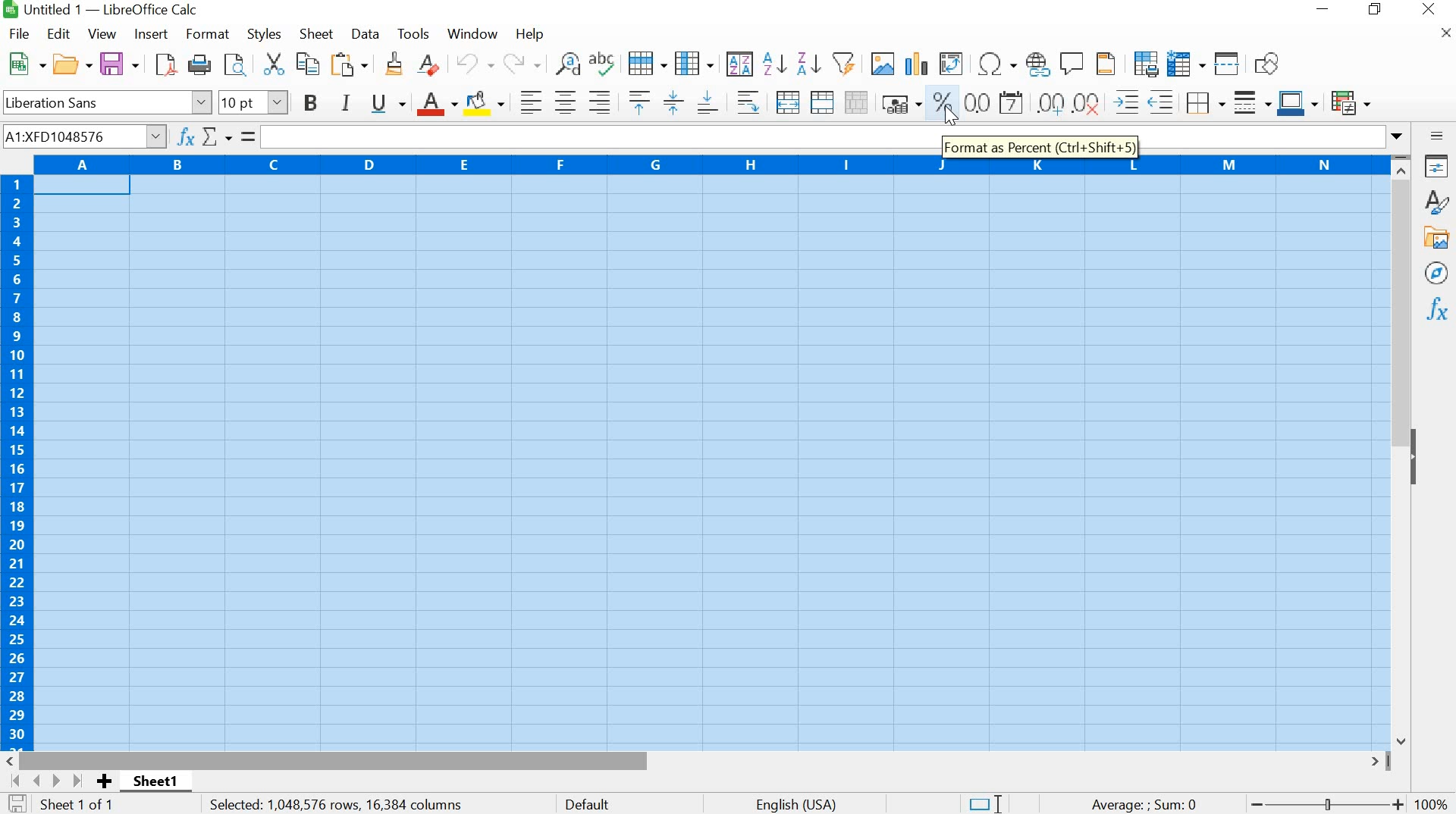  What do you see at coordinates (977, 102) in the screenshot?
I see `Format as number` at bounding box center [977, 102].